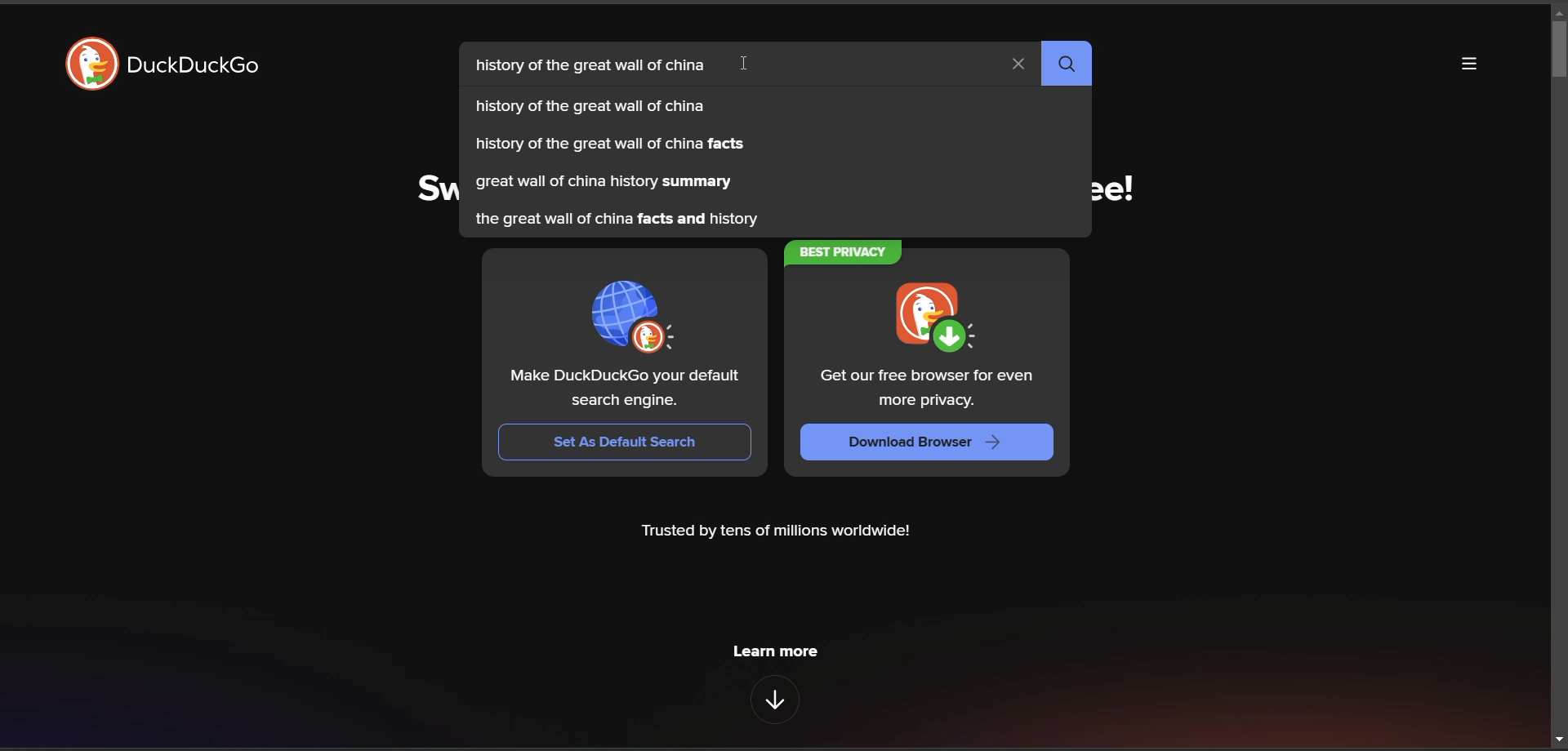 This screenshot has width=1568, height=751. What do you see at coordinates (158, 67) in the screenshot?
I see `logo and title` at bounding box center [158, 67].